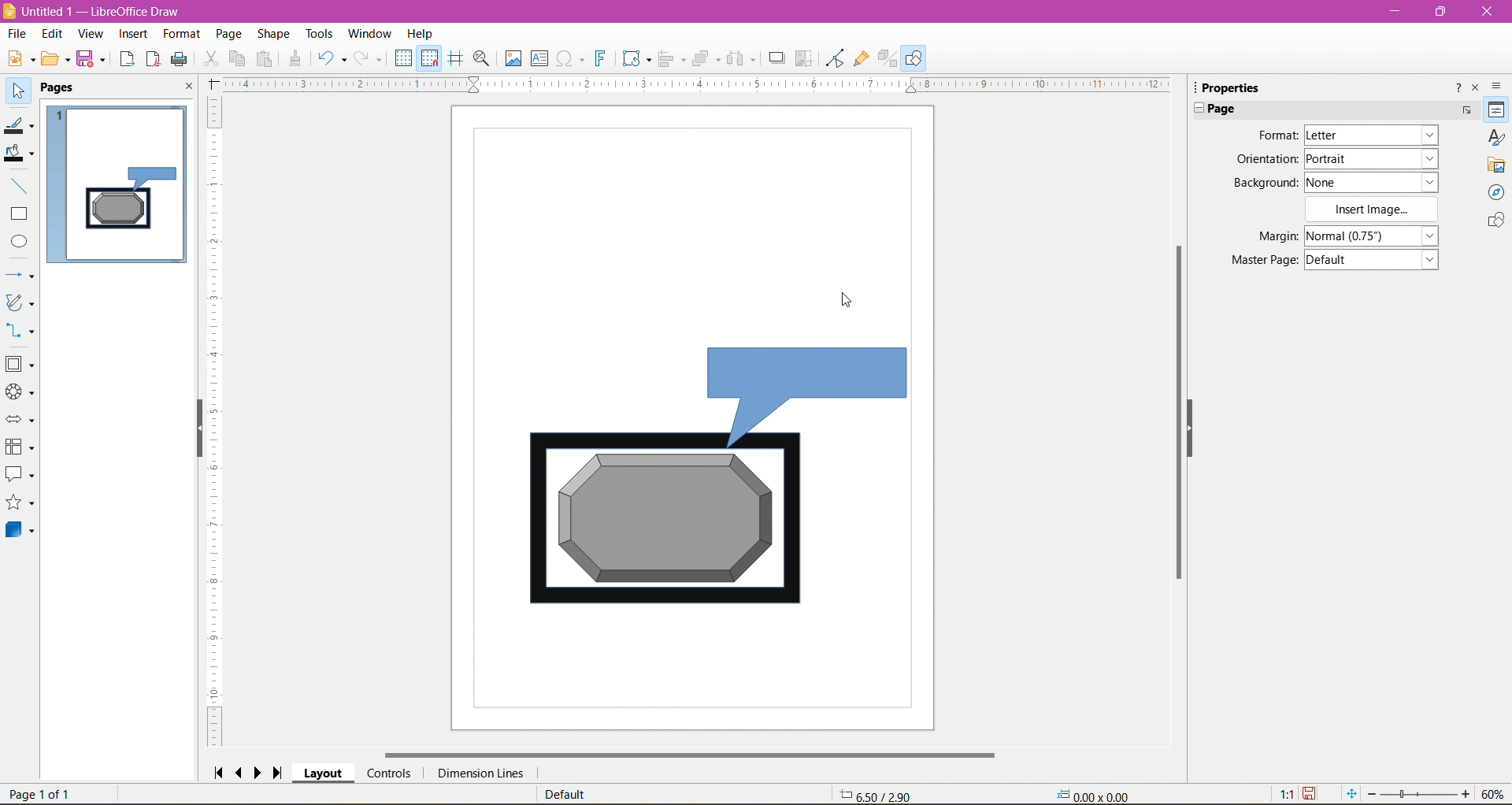  I want to click on Window, so click(372, 32).